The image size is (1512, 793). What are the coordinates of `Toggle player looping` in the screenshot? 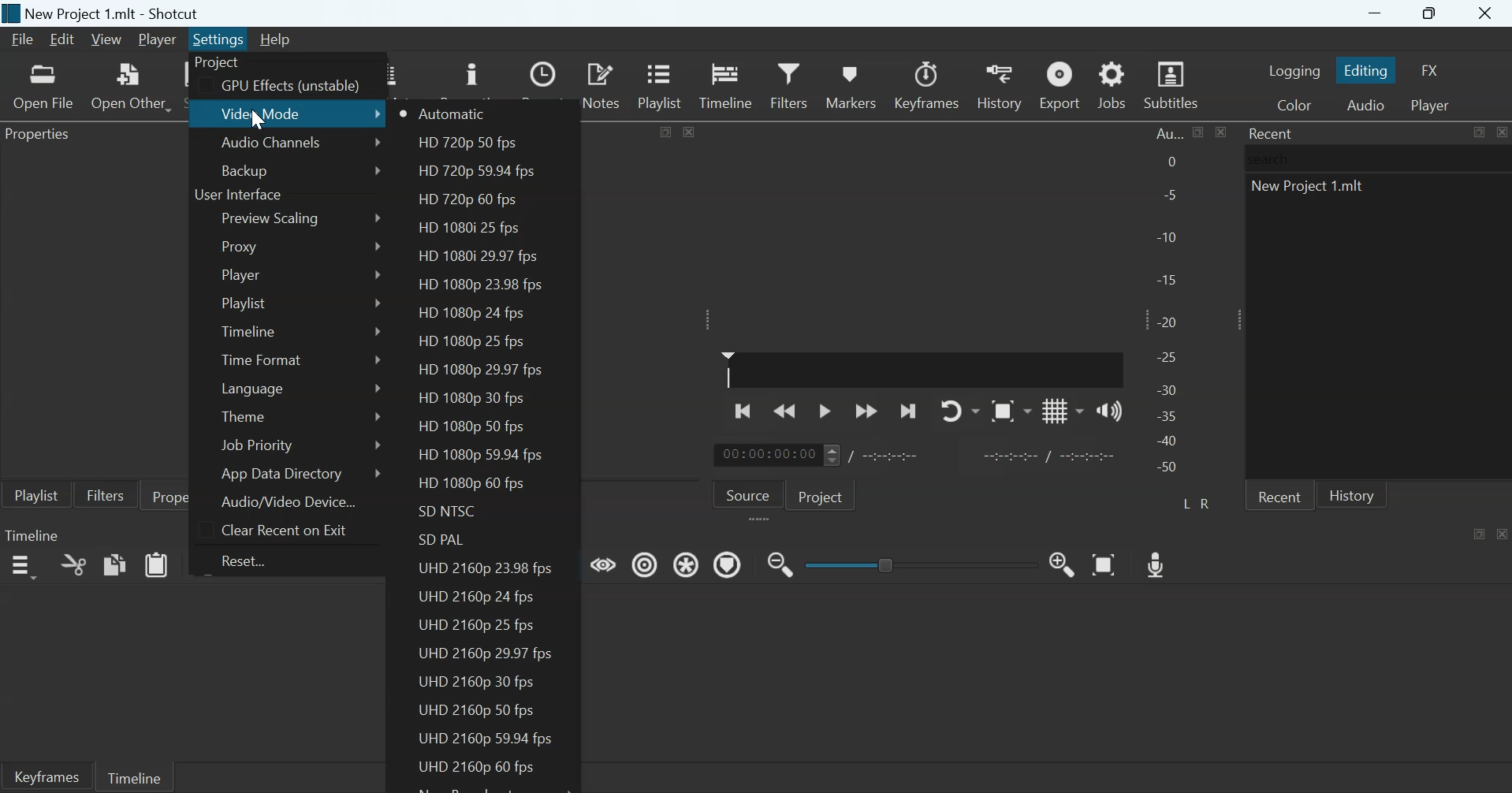 It's located at (960, 411).